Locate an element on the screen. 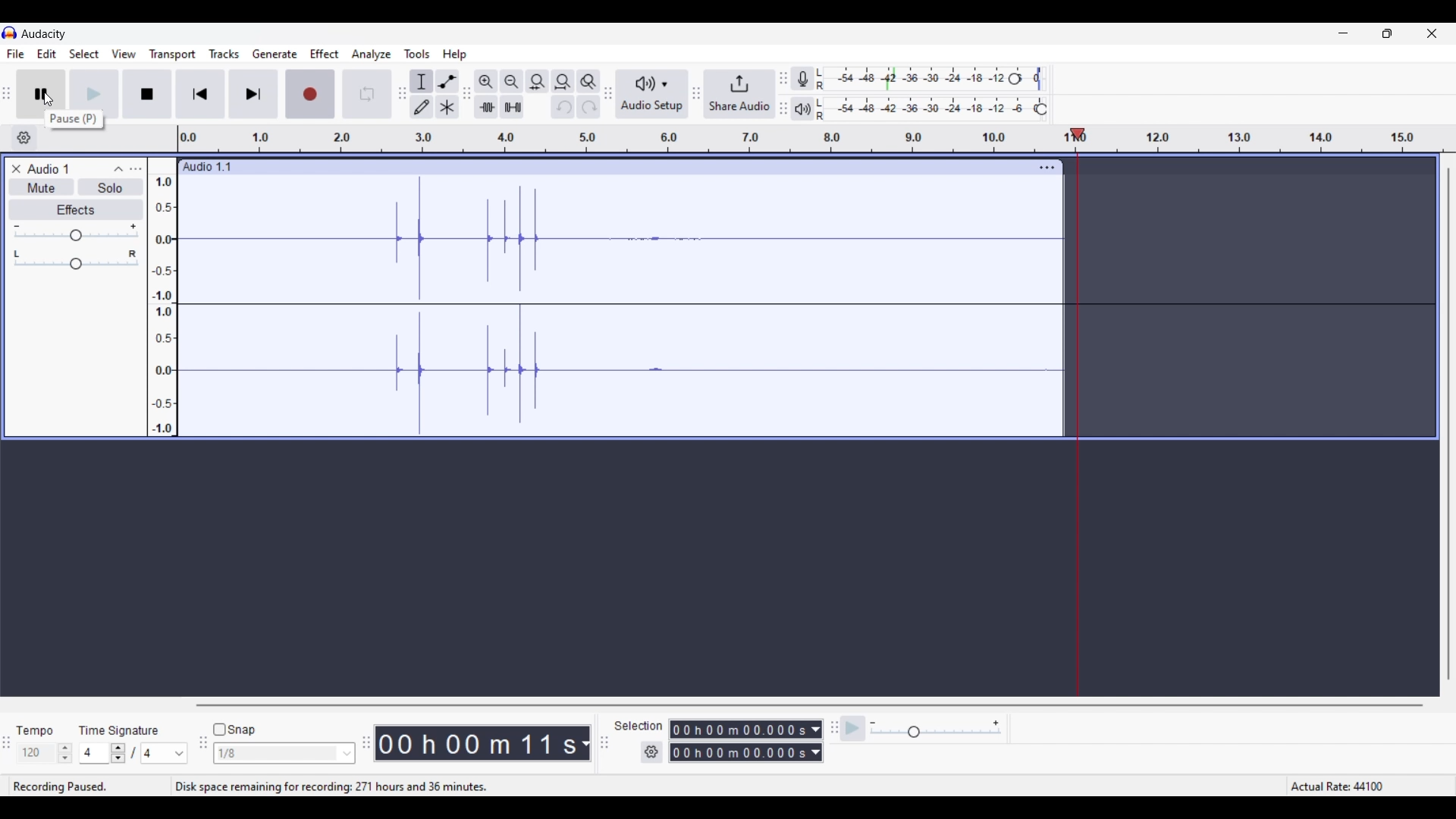 This screenshot has width=1456, height=819. toolbar is located at coordinates (202, 747).